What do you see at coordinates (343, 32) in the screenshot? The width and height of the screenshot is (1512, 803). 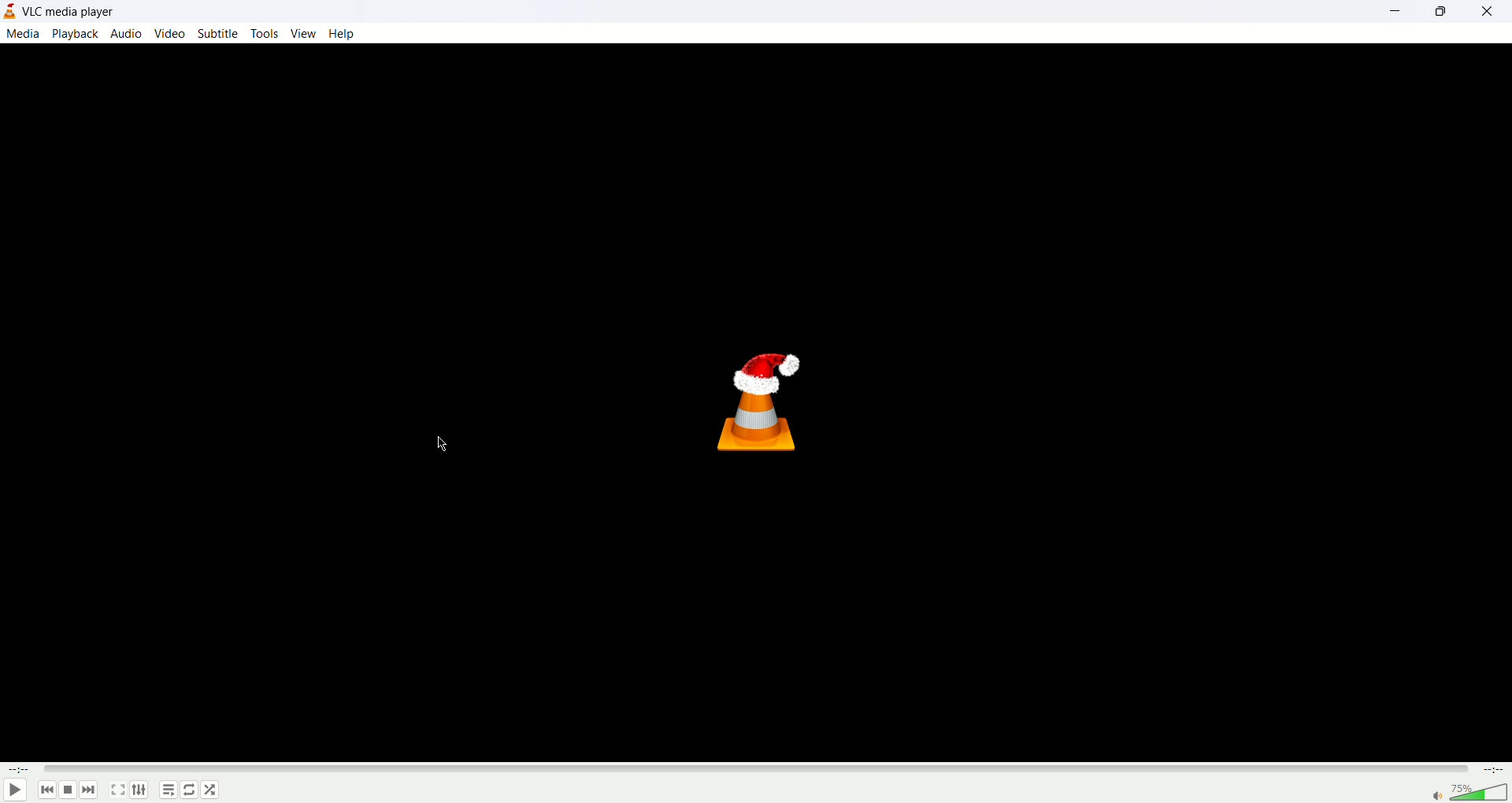 I see `help` at bounding box center [343, 32].